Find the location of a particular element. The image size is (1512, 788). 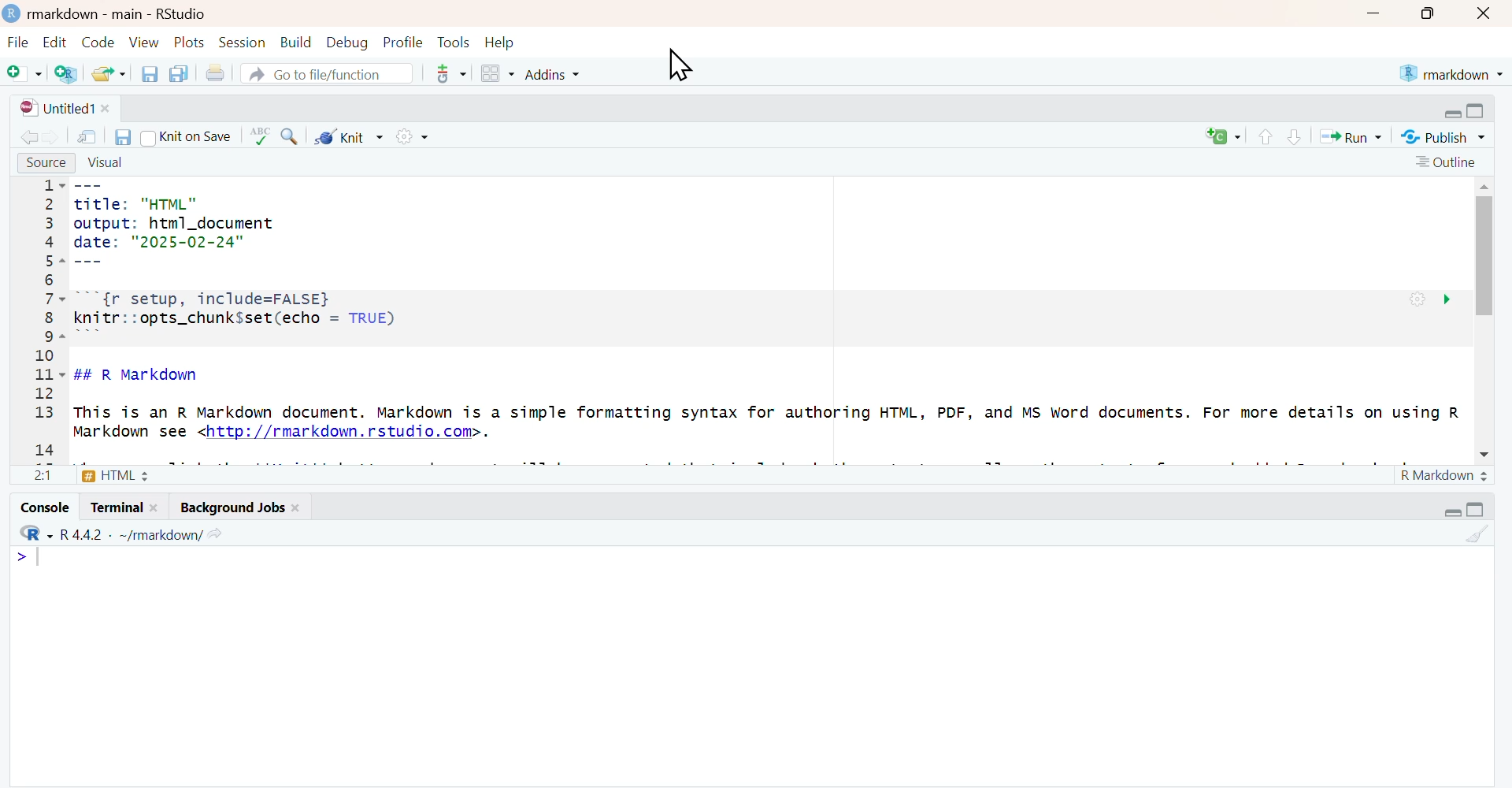

Save all open documents is located at coordinates (181, 74).